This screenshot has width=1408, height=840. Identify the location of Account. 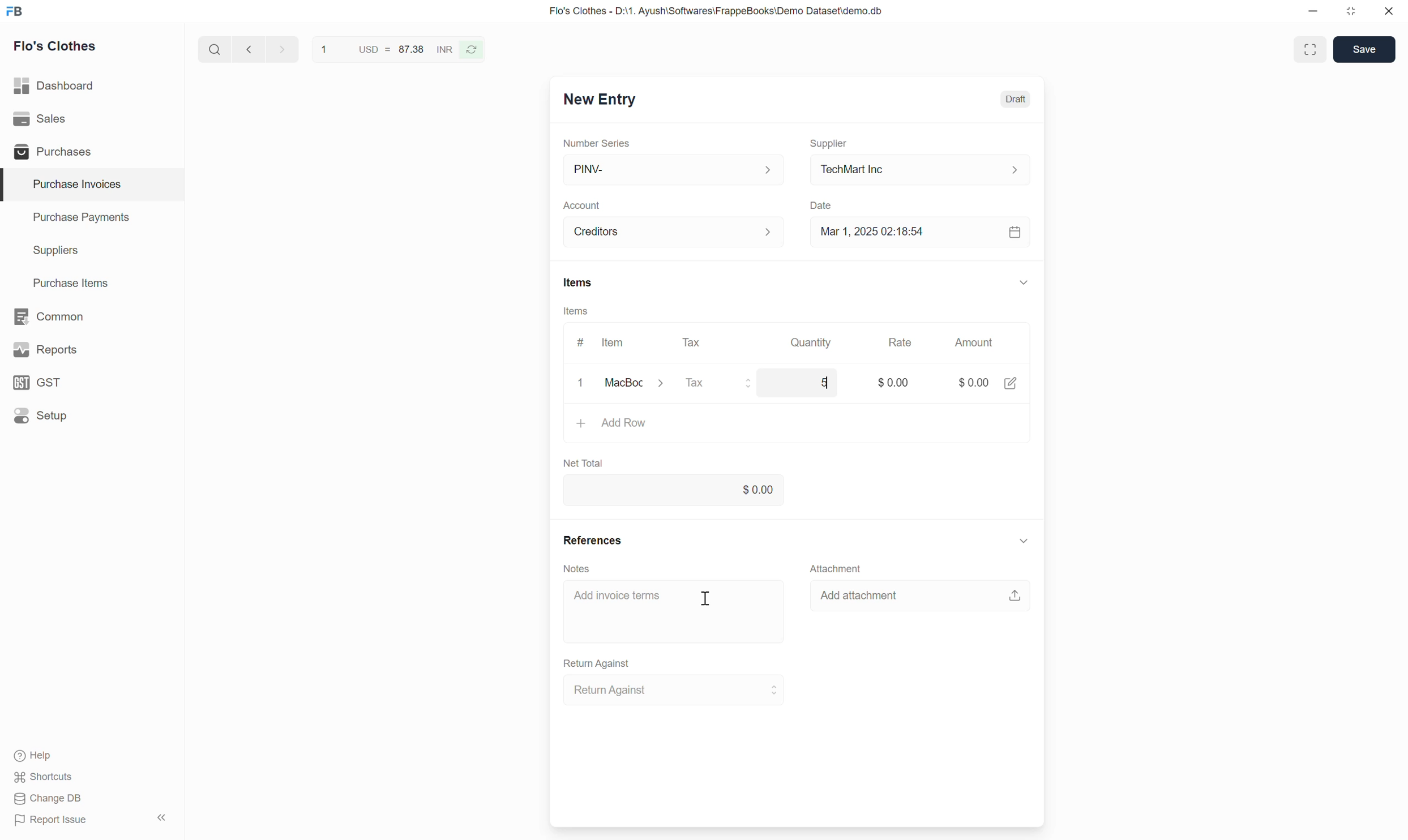
(581, 206).